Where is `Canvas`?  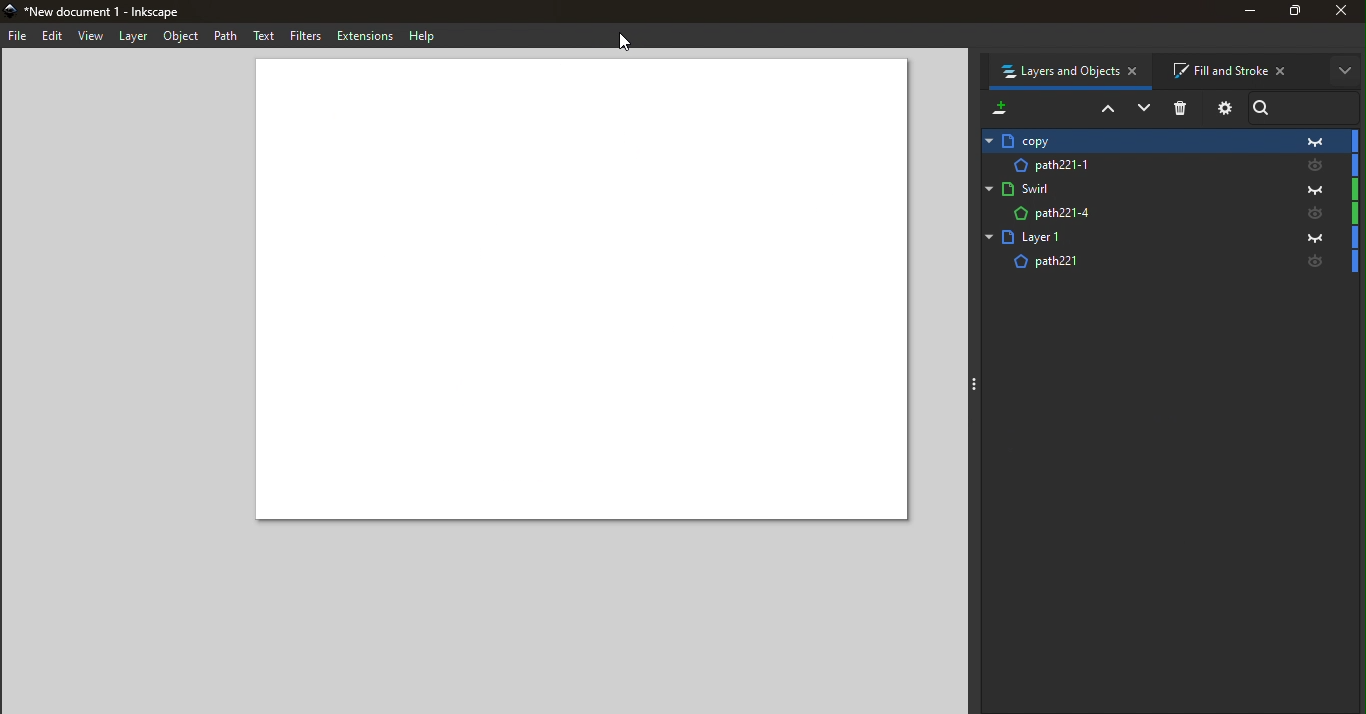
Canvas is located at coordinates (578, 293).